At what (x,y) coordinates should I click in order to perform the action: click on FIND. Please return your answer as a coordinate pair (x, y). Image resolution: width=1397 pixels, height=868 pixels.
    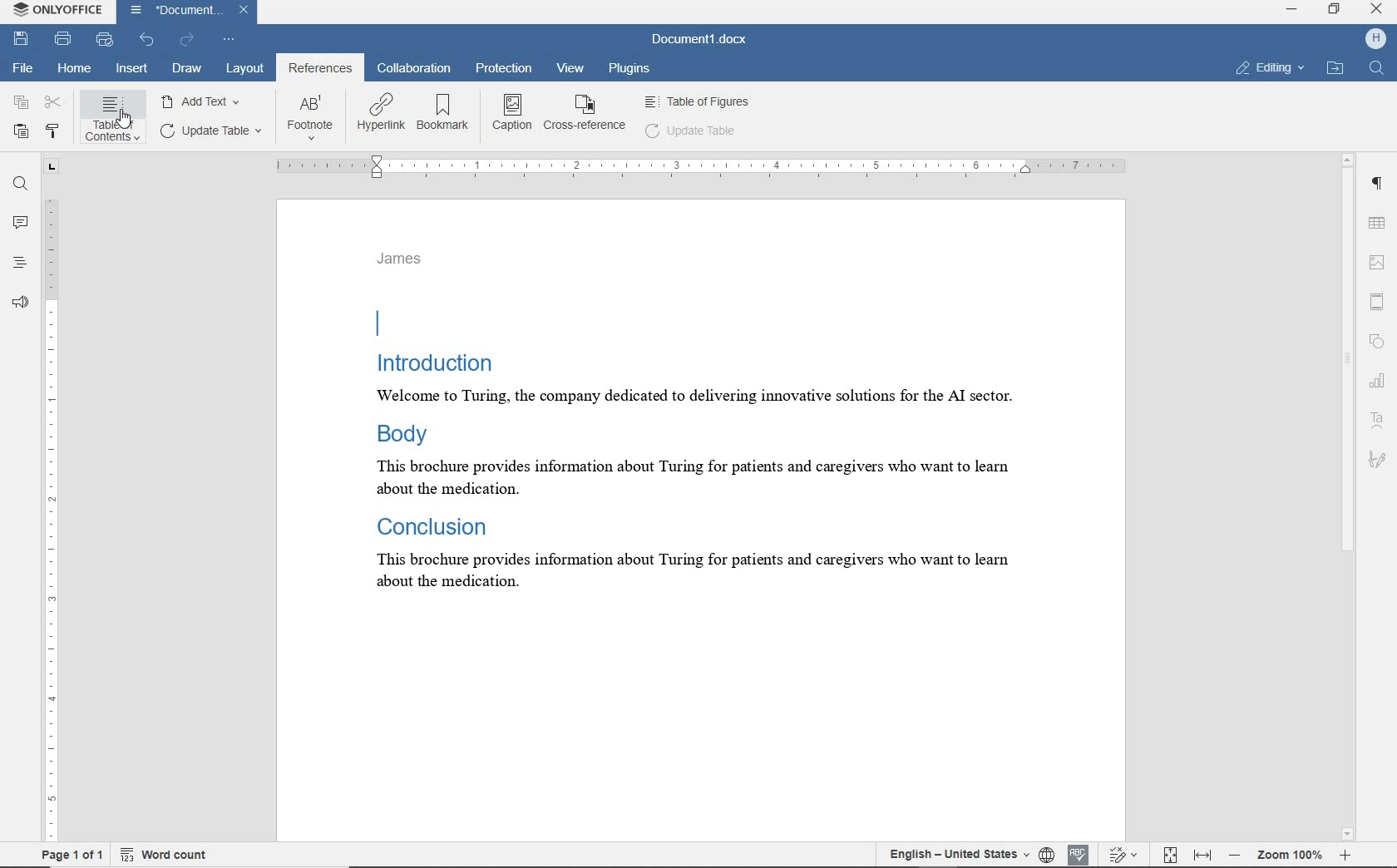
    Looking at the image, I should click on (1376, 69).